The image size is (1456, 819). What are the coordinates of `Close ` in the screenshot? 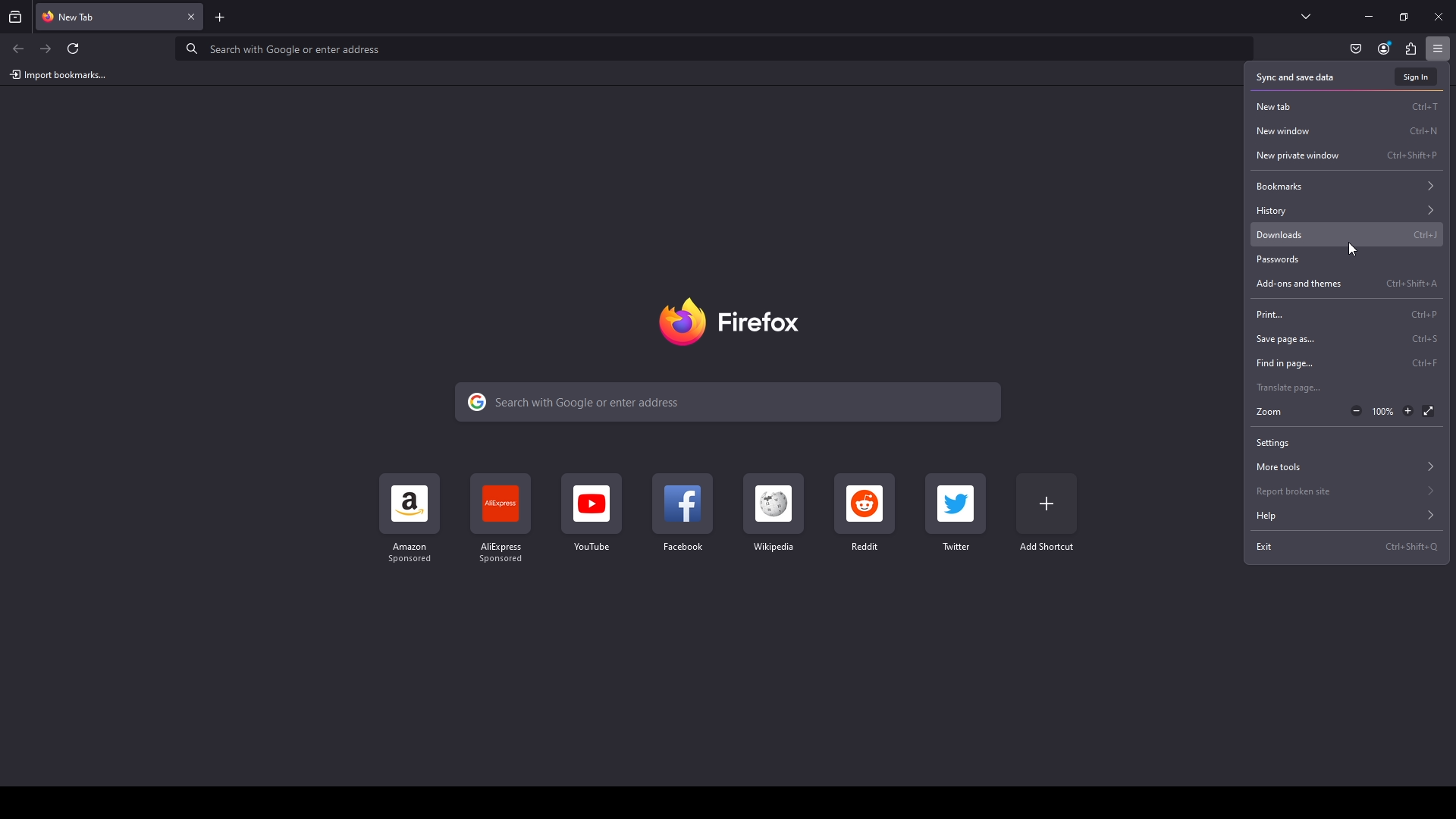 It's located at (1439, 17).